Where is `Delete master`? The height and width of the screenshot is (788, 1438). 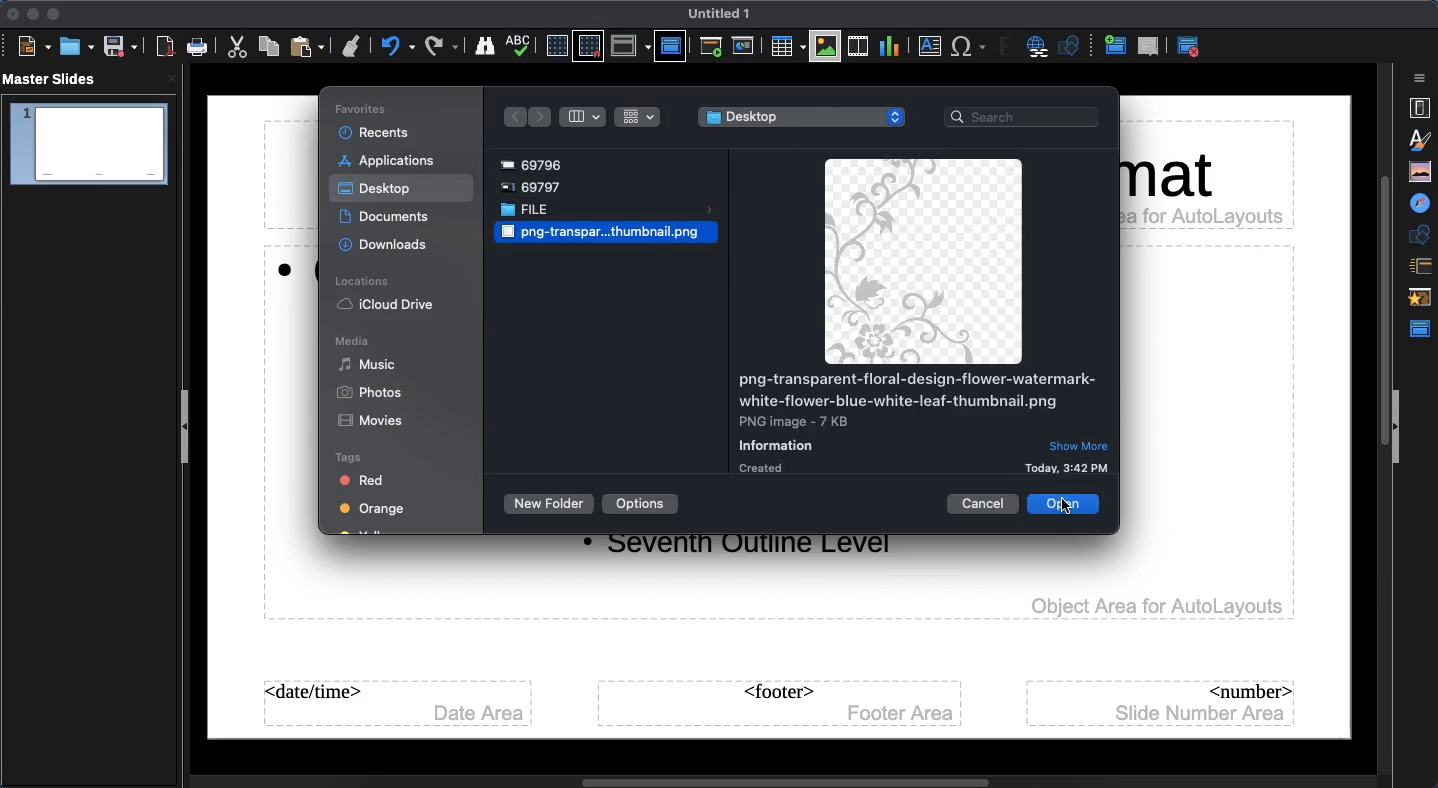 Delete master is located at coordinates (1149, 46).